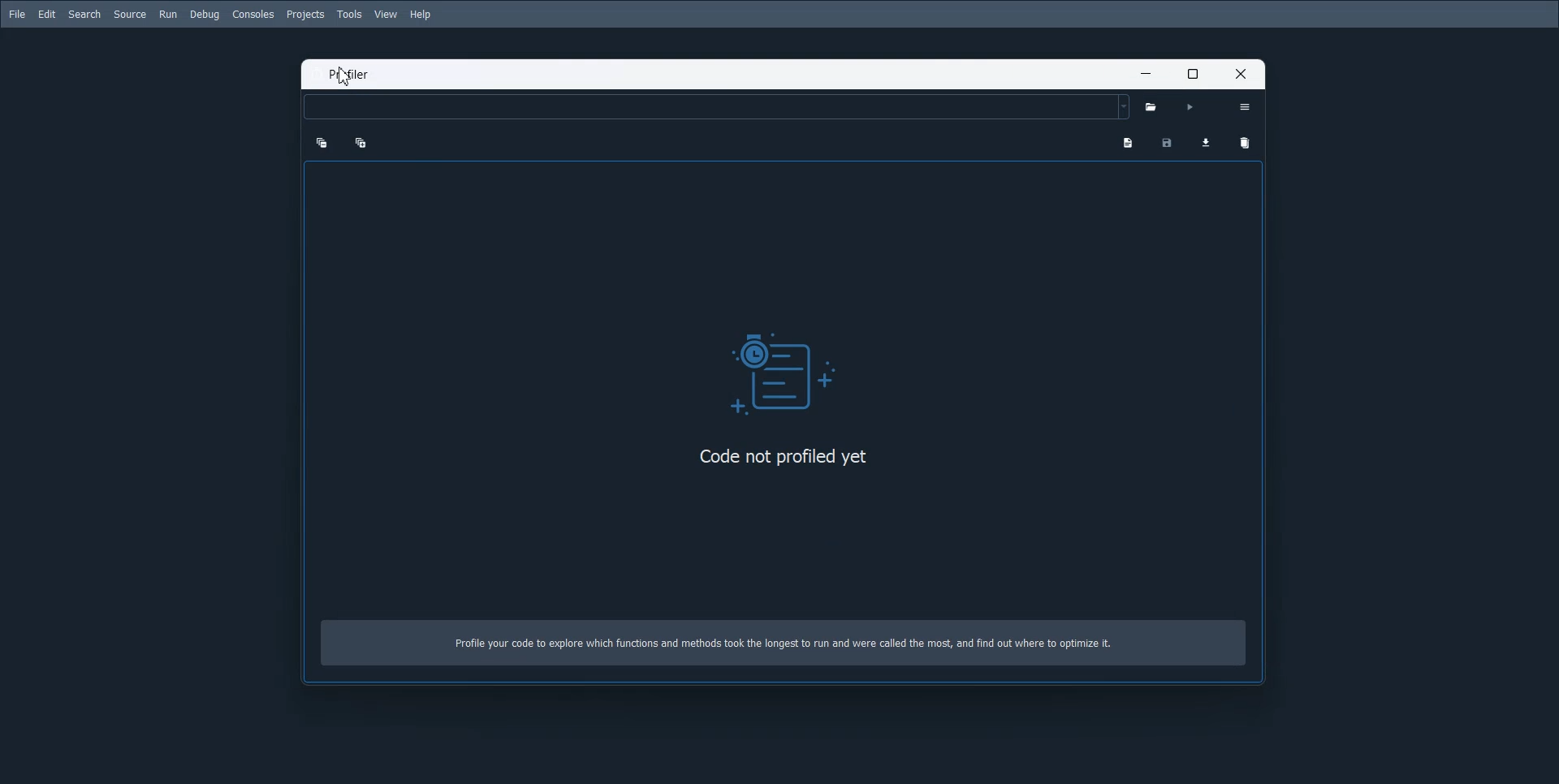 The image size is (1559, 784). I want to click on Search bar, so click(716, 107).